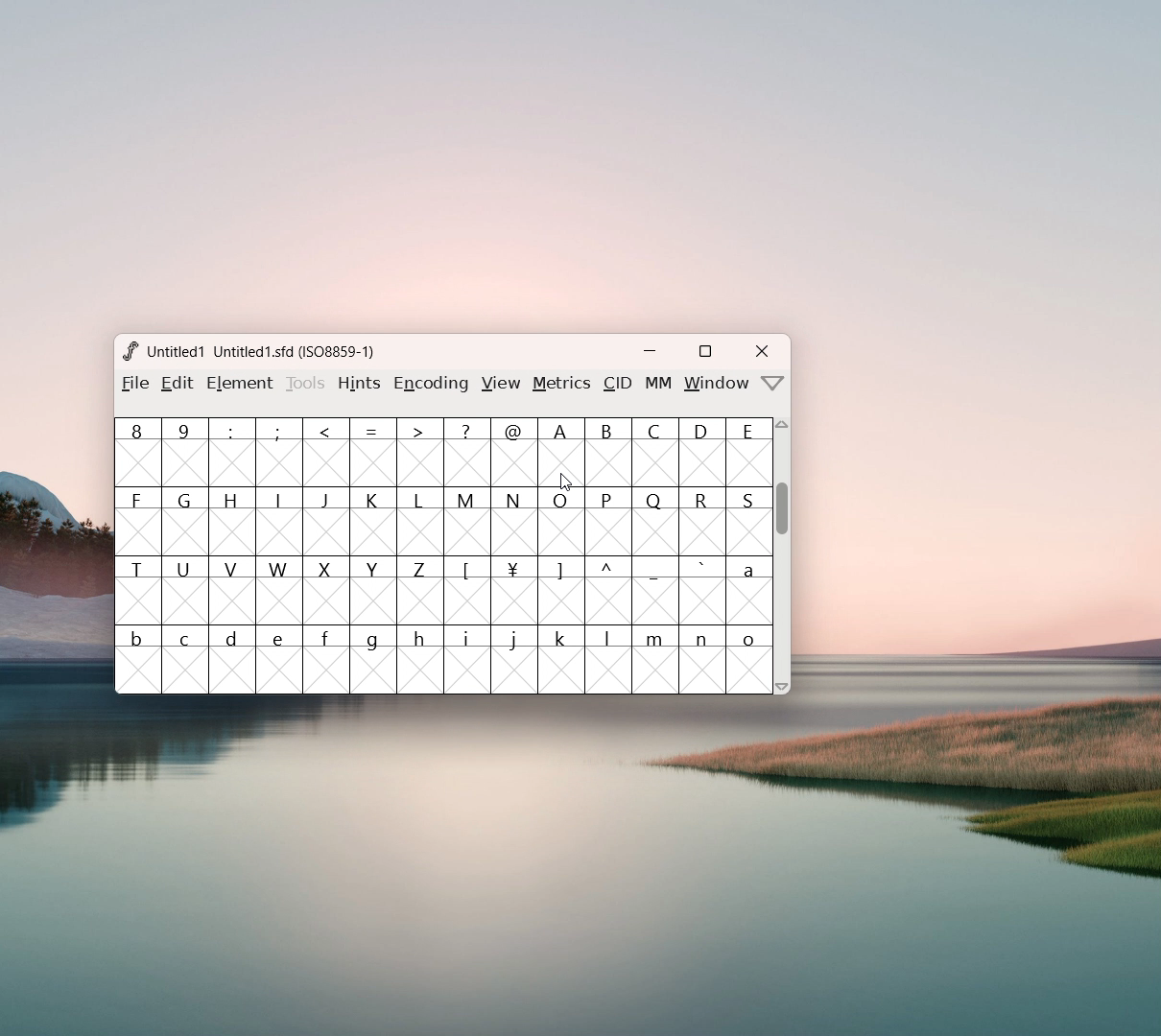  Describe the element at coordinates (609, 591) in the screenshot. I see `^` at that location.